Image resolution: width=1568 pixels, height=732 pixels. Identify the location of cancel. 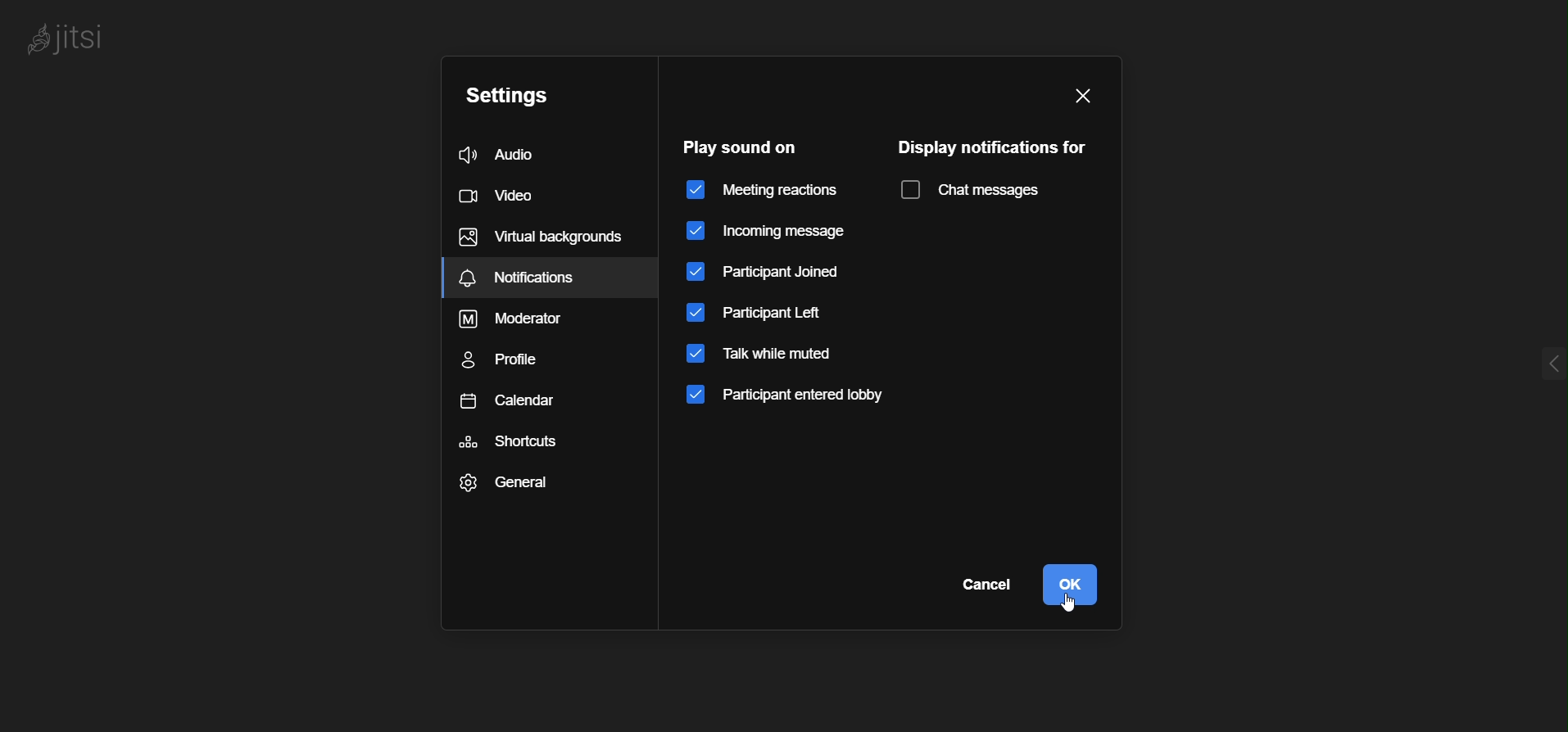
(977, 590).